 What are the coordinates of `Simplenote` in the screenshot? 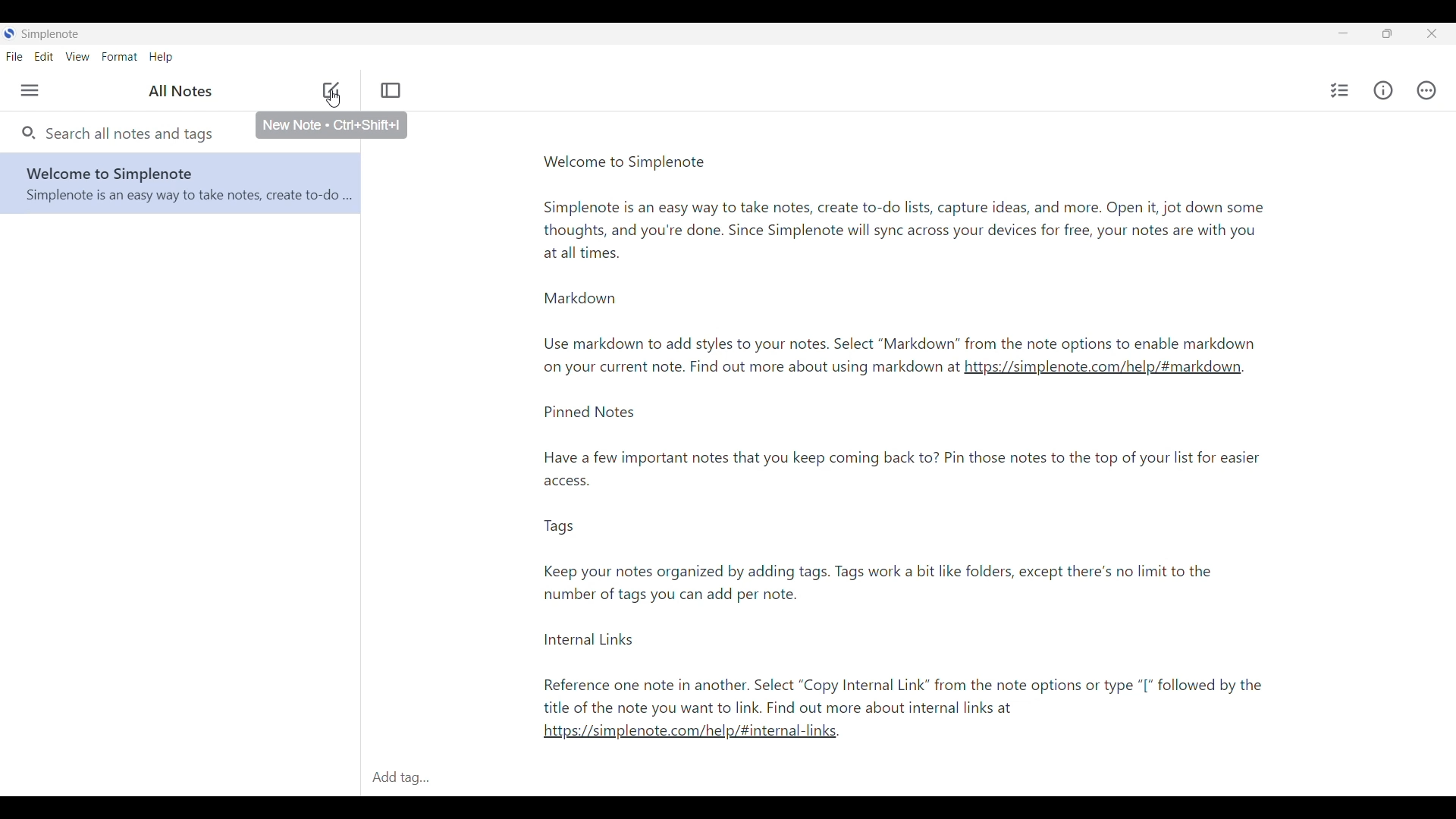 It's located at (46, 34).